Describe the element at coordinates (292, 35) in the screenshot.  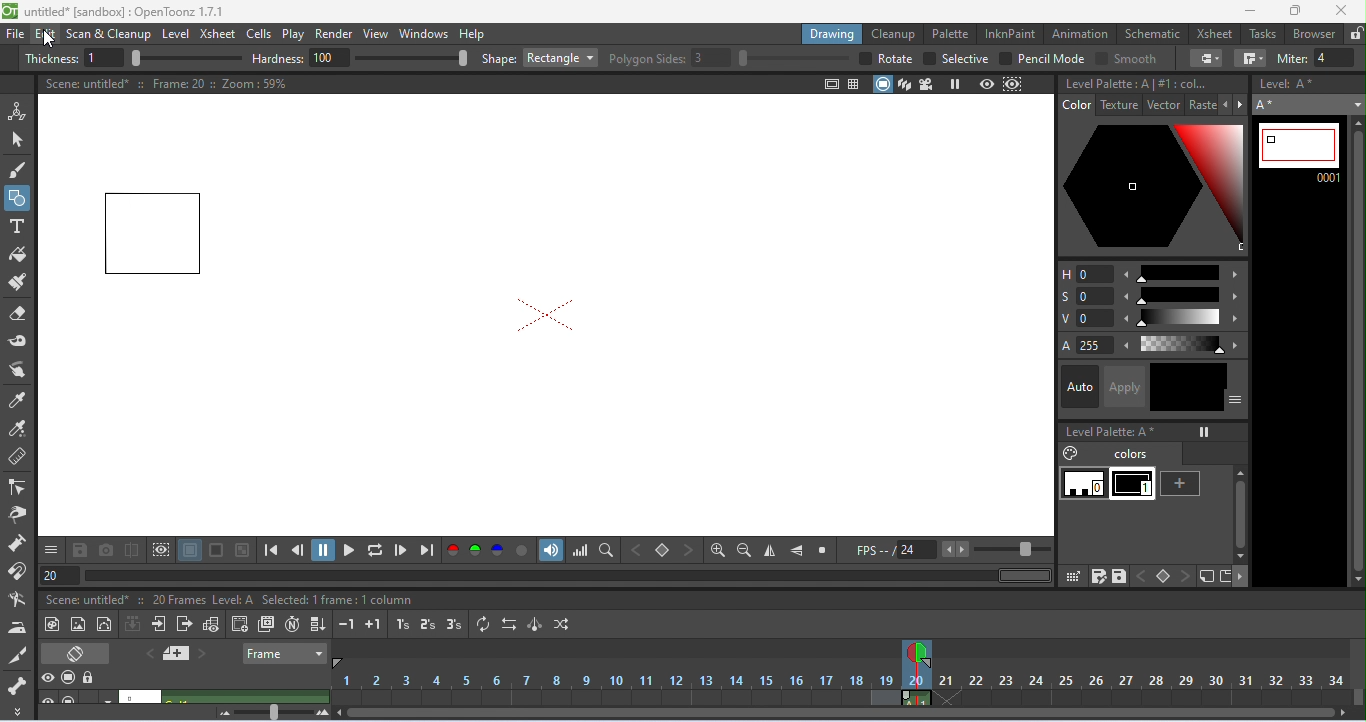
I see `play` at that location.